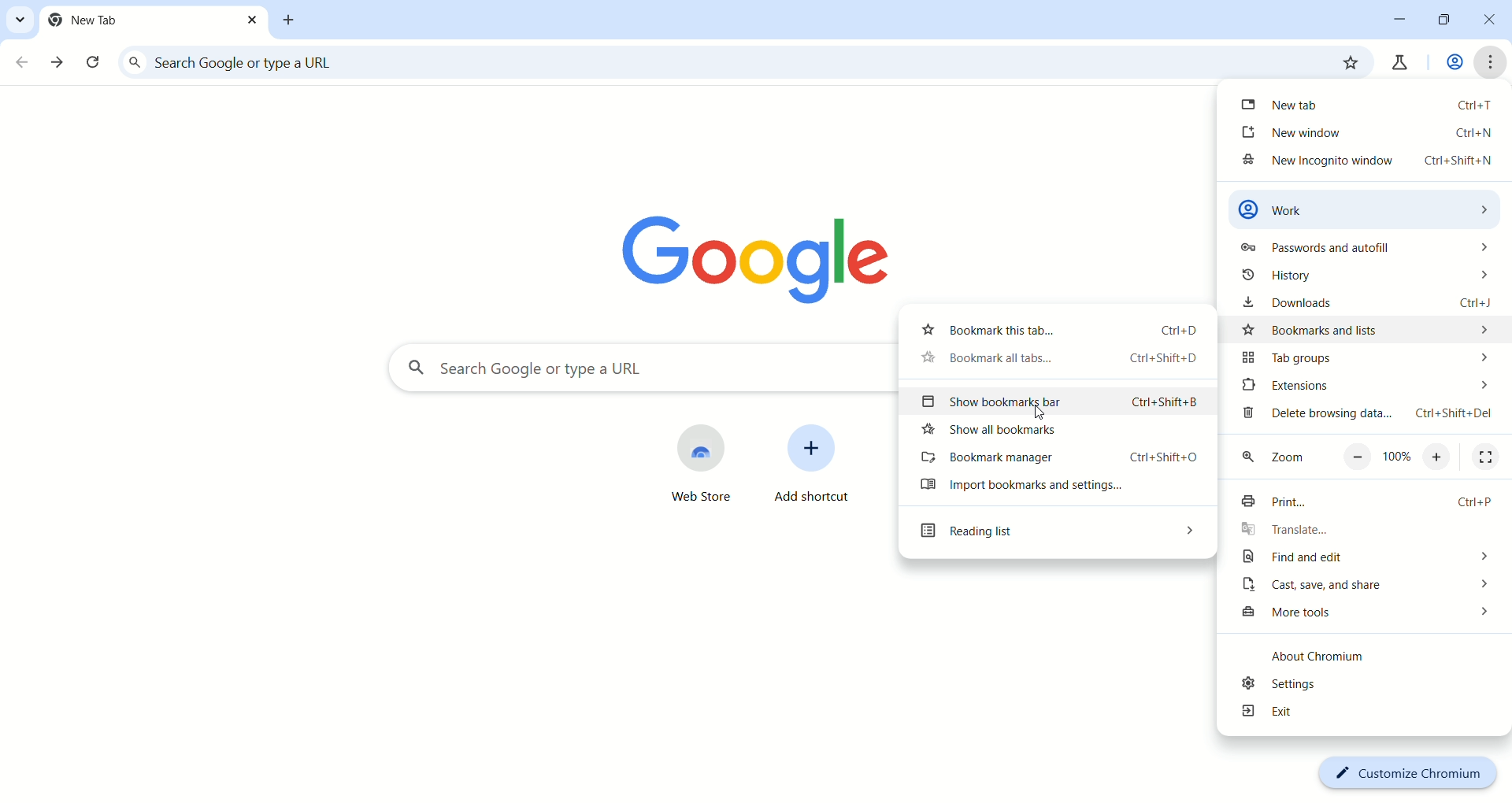  Describe the element at coordinates (1349, 62) in the screenshot. I see `bookmark this tab` at that location.